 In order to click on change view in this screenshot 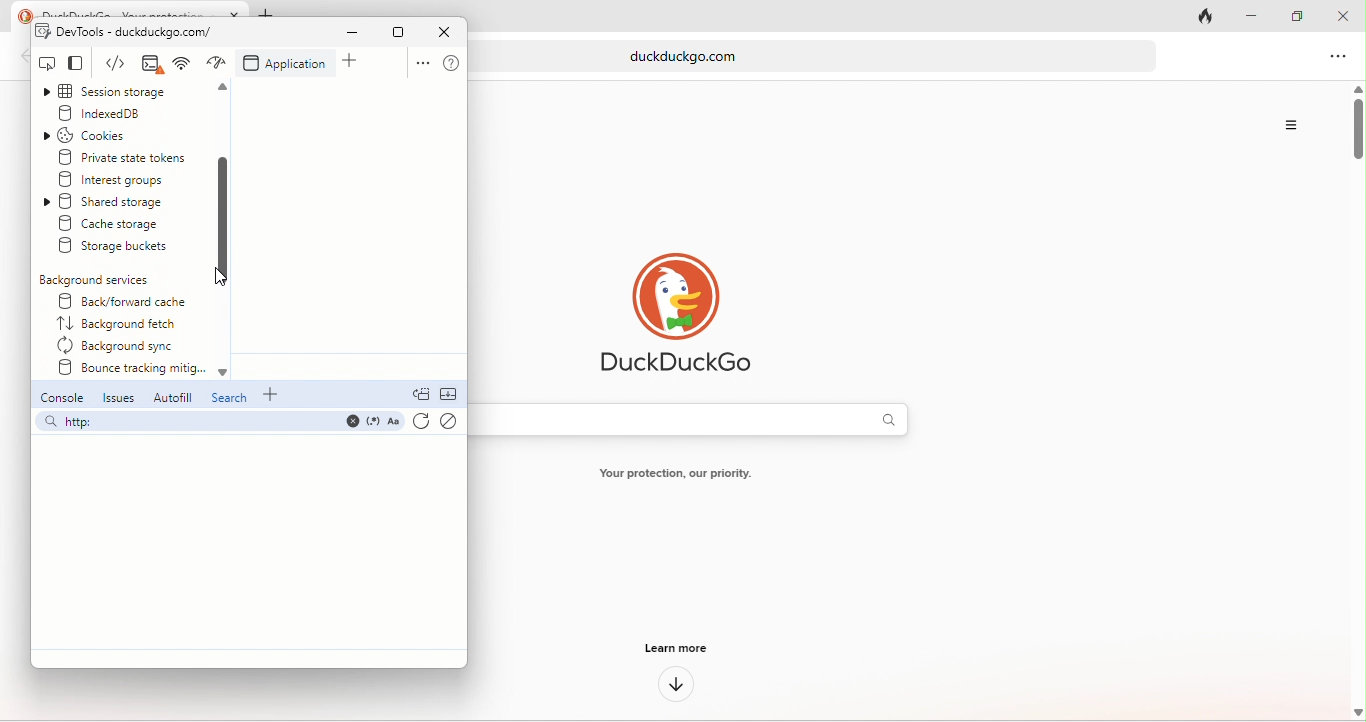, I will do `click(84, 65)`.